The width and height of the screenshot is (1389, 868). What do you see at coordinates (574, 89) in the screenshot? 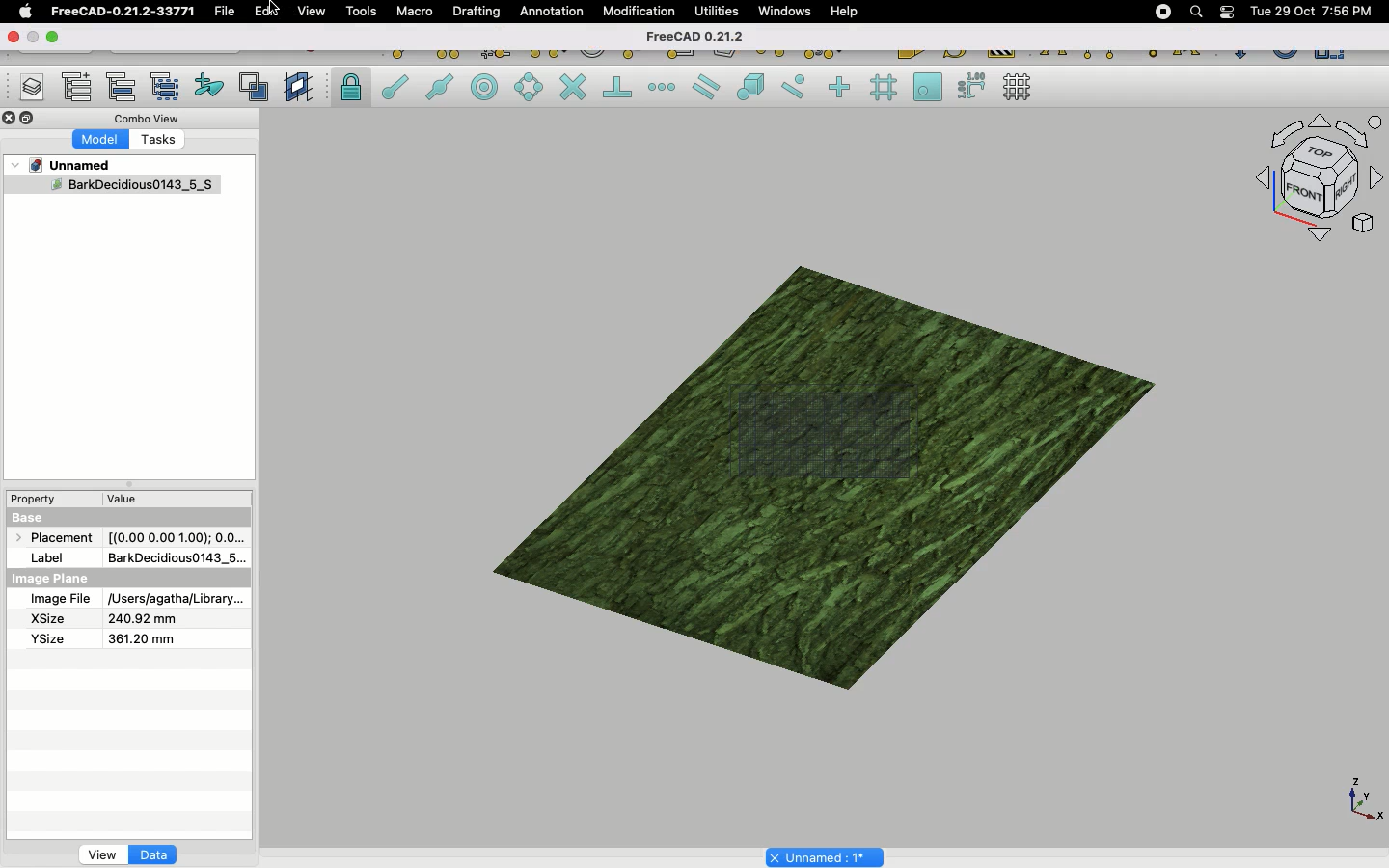
I see `Snap intersection` at bounding box center [574, 89].